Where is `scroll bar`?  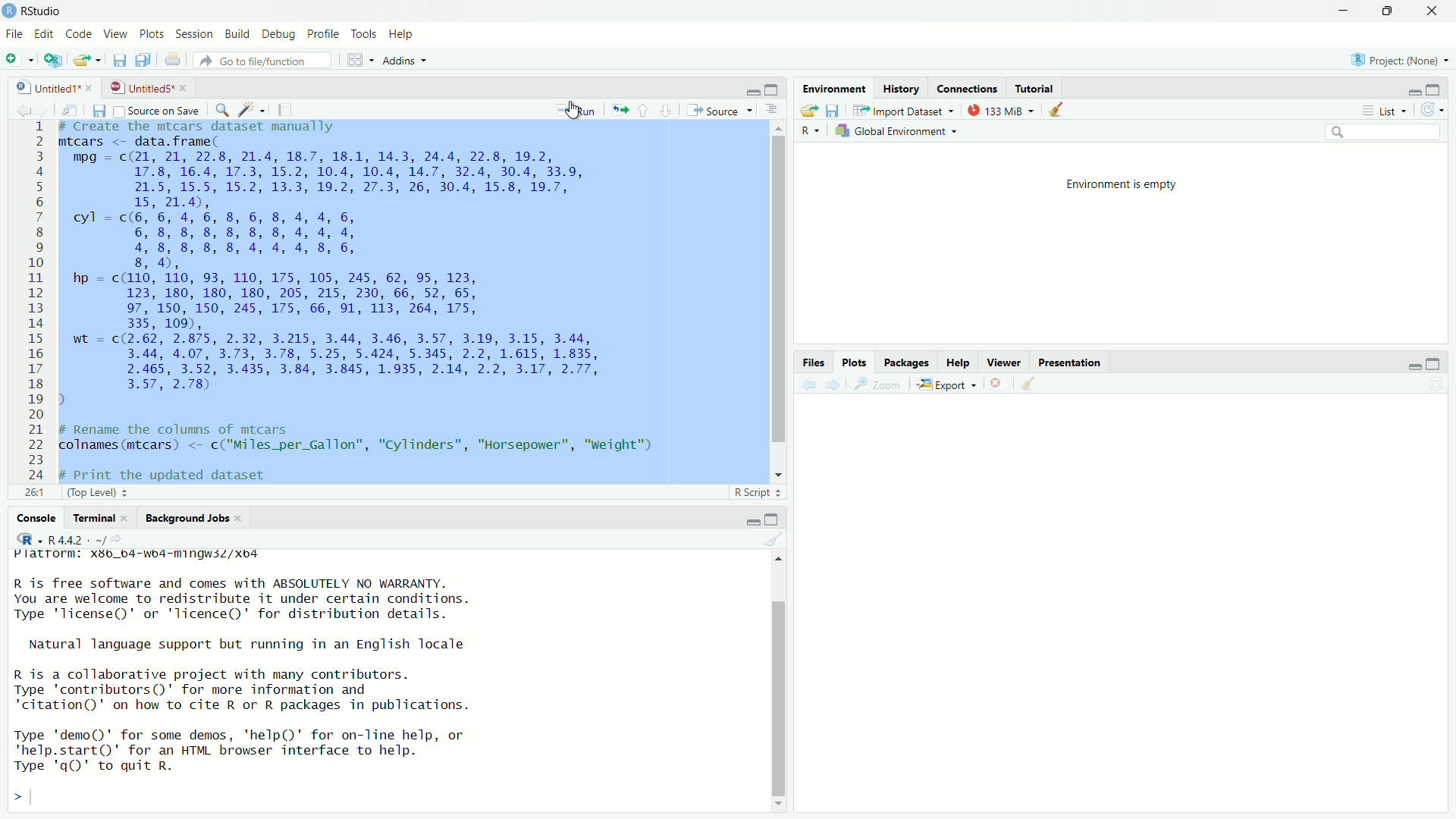 scroll bar is located at coordinates (770, 300).